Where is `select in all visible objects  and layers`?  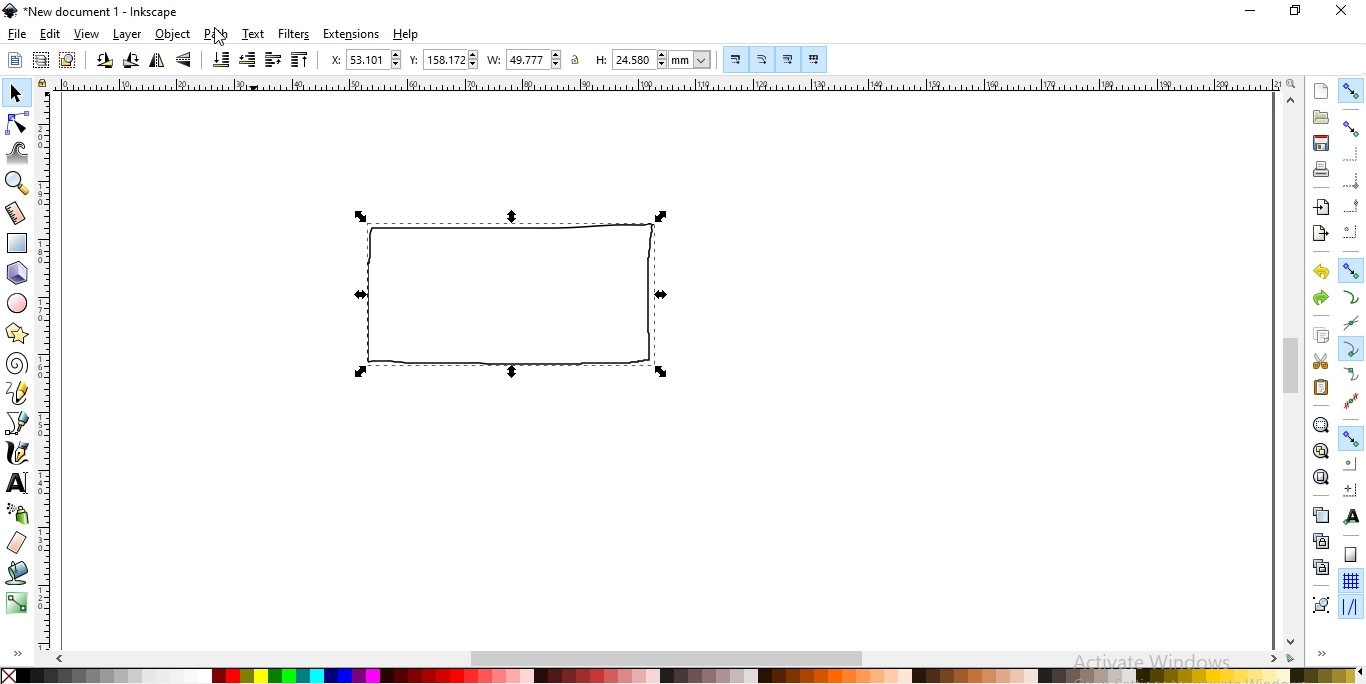 select in all visible objects  and layers is located at coordinates (41, 62).